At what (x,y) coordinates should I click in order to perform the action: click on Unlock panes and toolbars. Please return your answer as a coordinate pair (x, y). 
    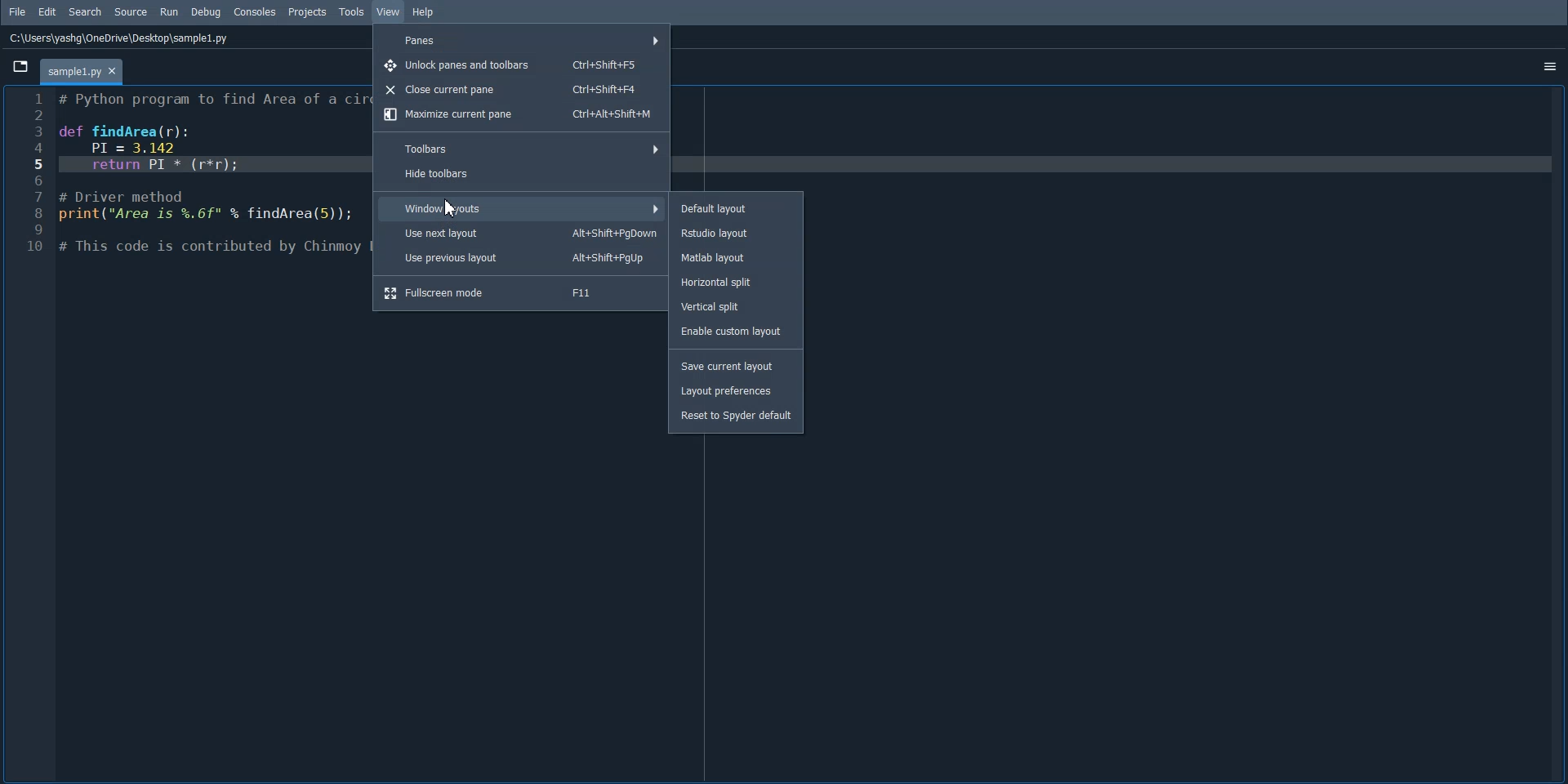
    Looking at the image, I should click on (519, 66).